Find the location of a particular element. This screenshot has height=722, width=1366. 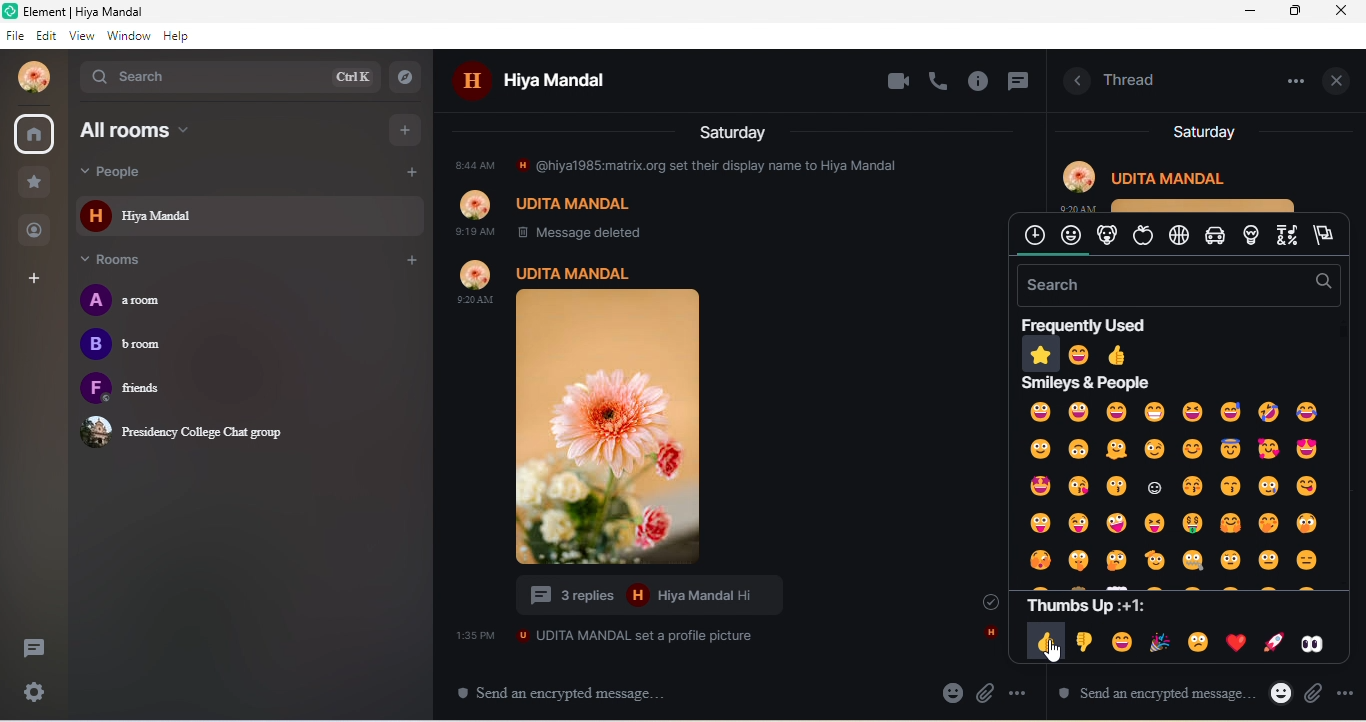

thread is located at coordinates (1131, 78).